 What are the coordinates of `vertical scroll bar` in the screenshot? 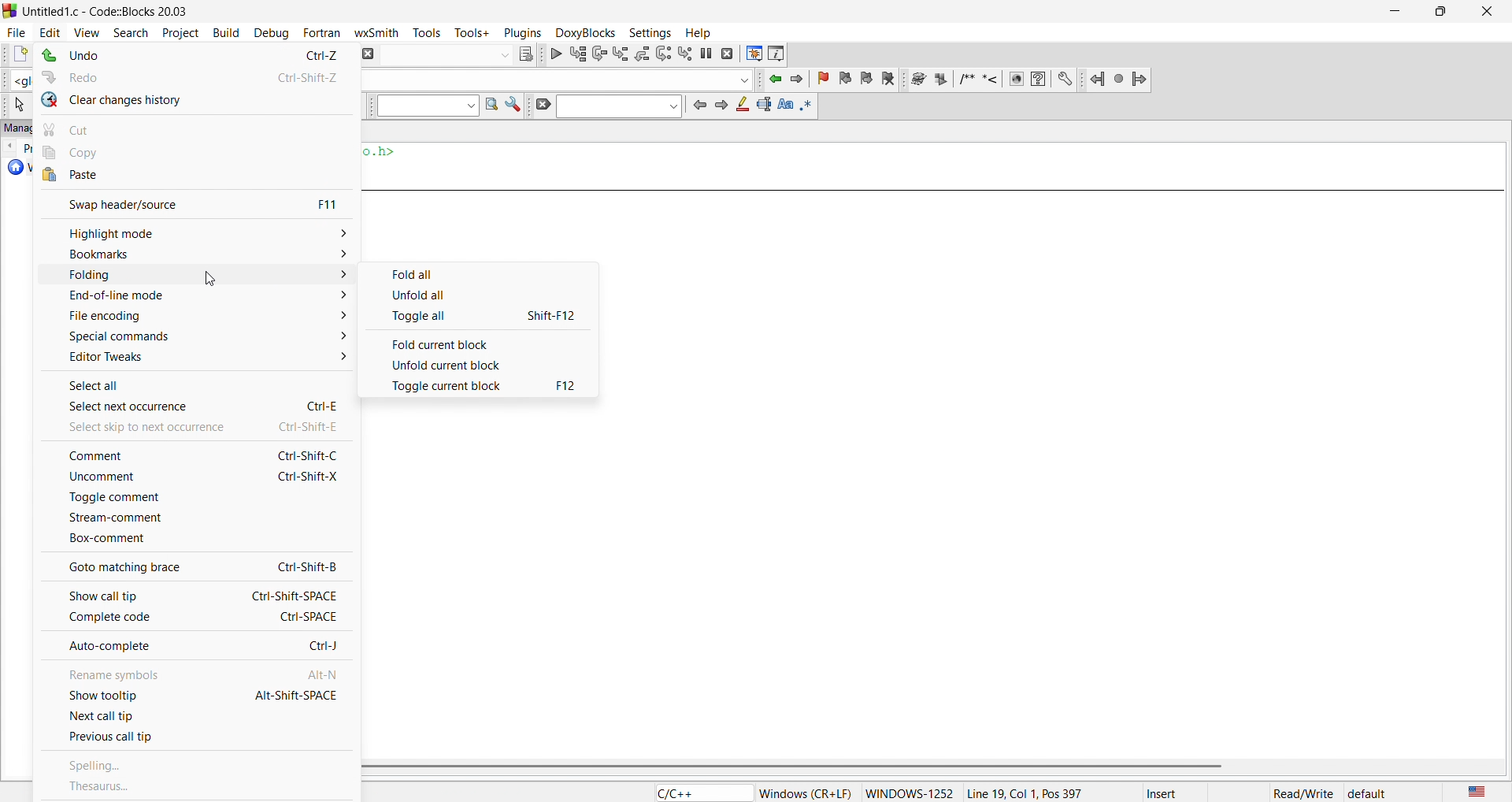 It's located at (926, 767).